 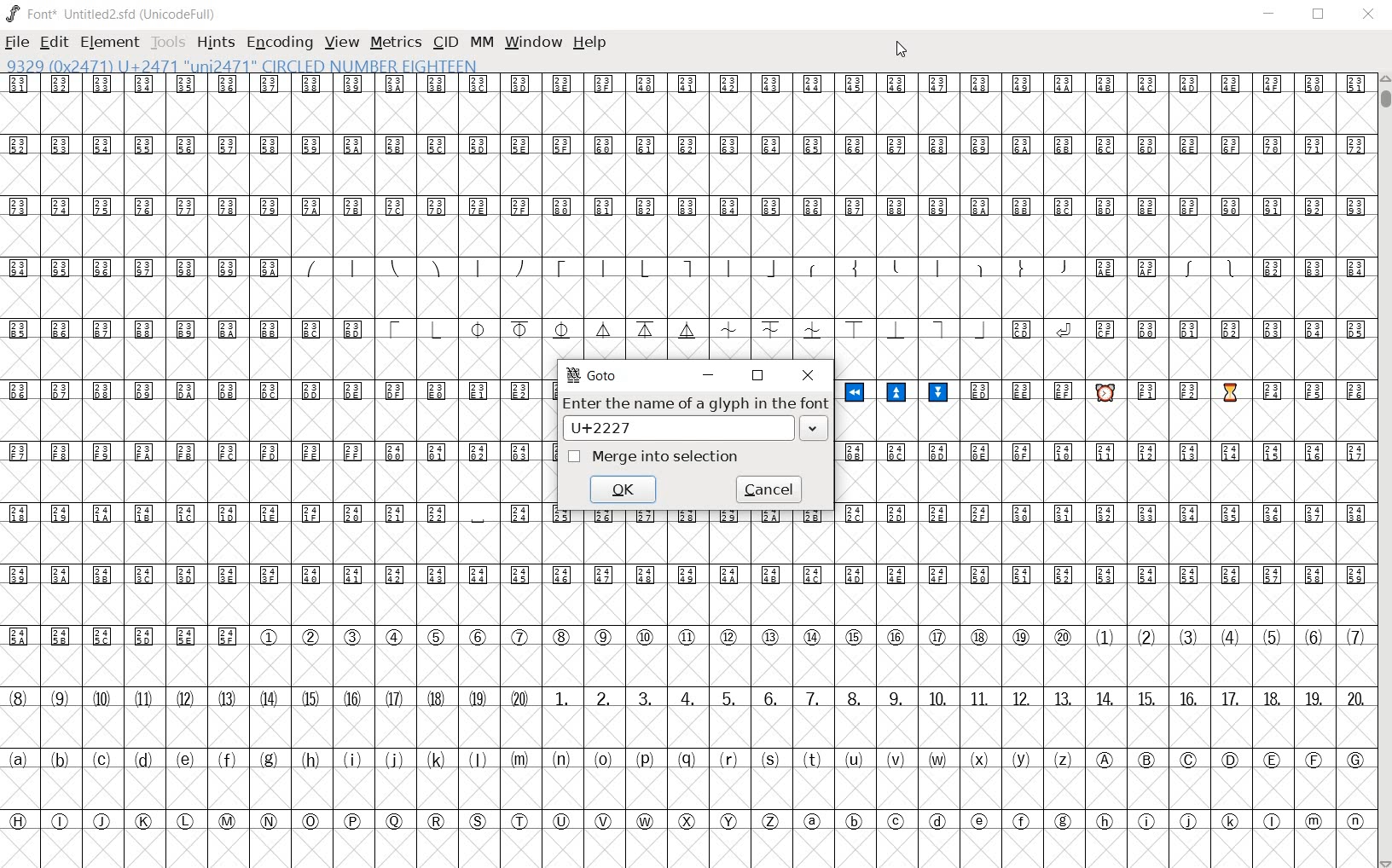 What do you see at coordinates (900, 51) in the screenshot?
I see `cursor` at bounding box center [900, 51].